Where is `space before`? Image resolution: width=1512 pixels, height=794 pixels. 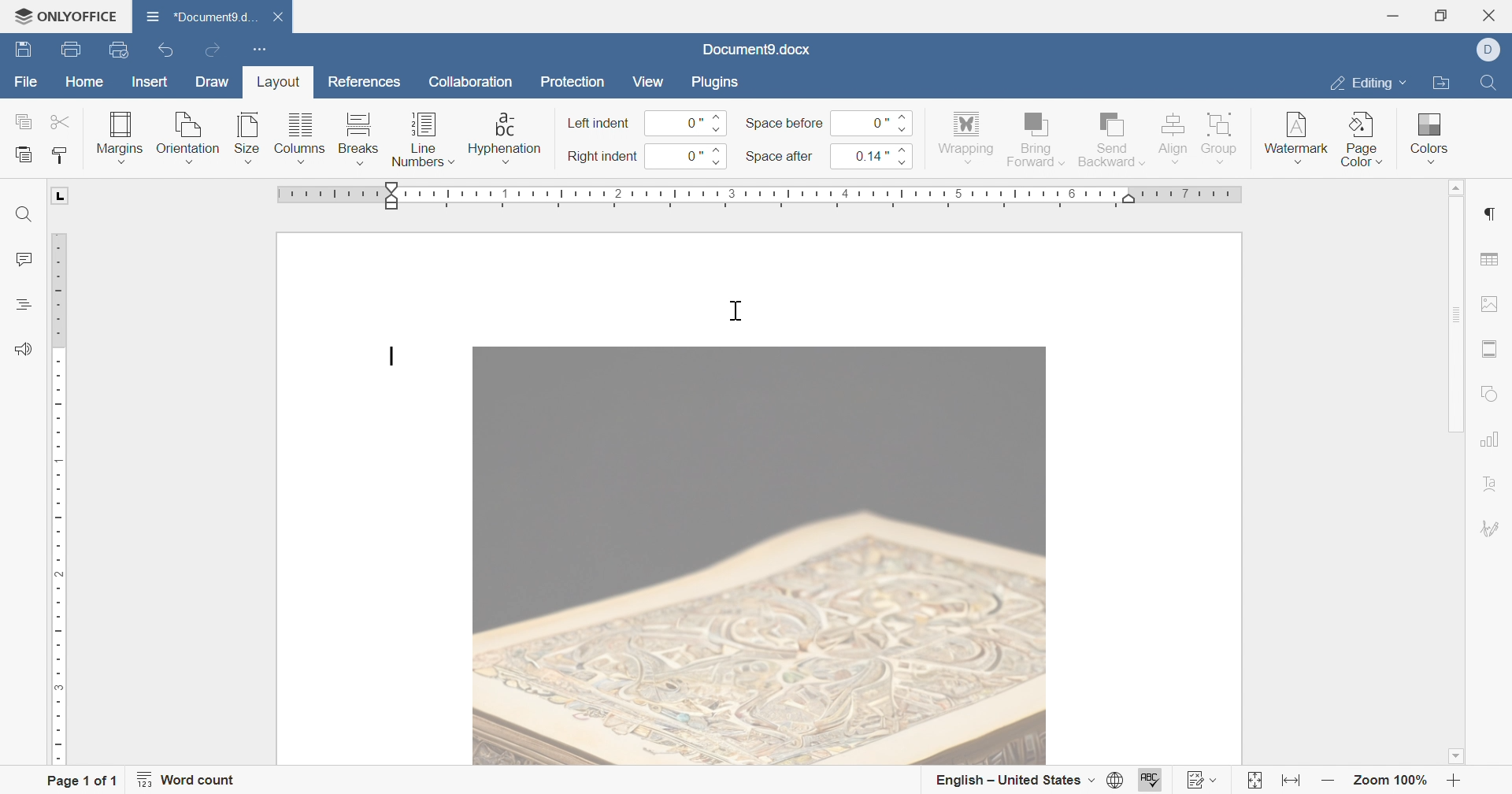
space before is located at coordinates (784, 123).